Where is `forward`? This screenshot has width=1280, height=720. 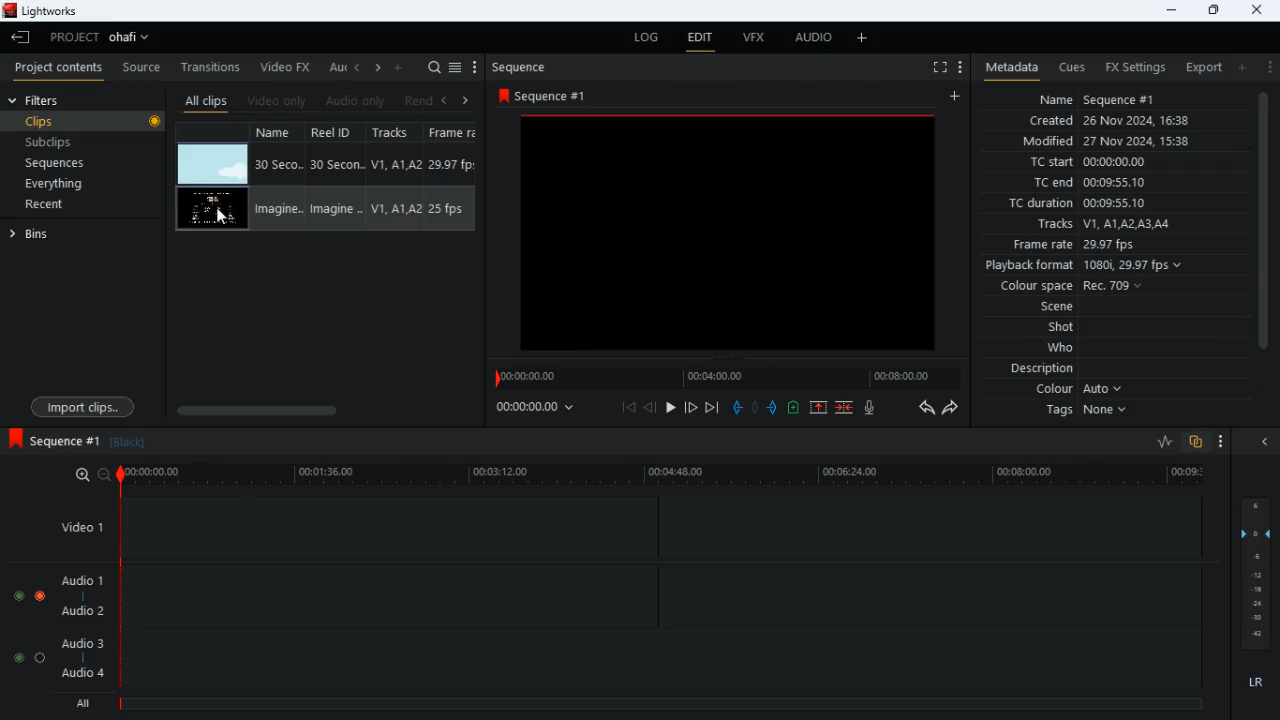 forward is located at coordinates (956, 411).